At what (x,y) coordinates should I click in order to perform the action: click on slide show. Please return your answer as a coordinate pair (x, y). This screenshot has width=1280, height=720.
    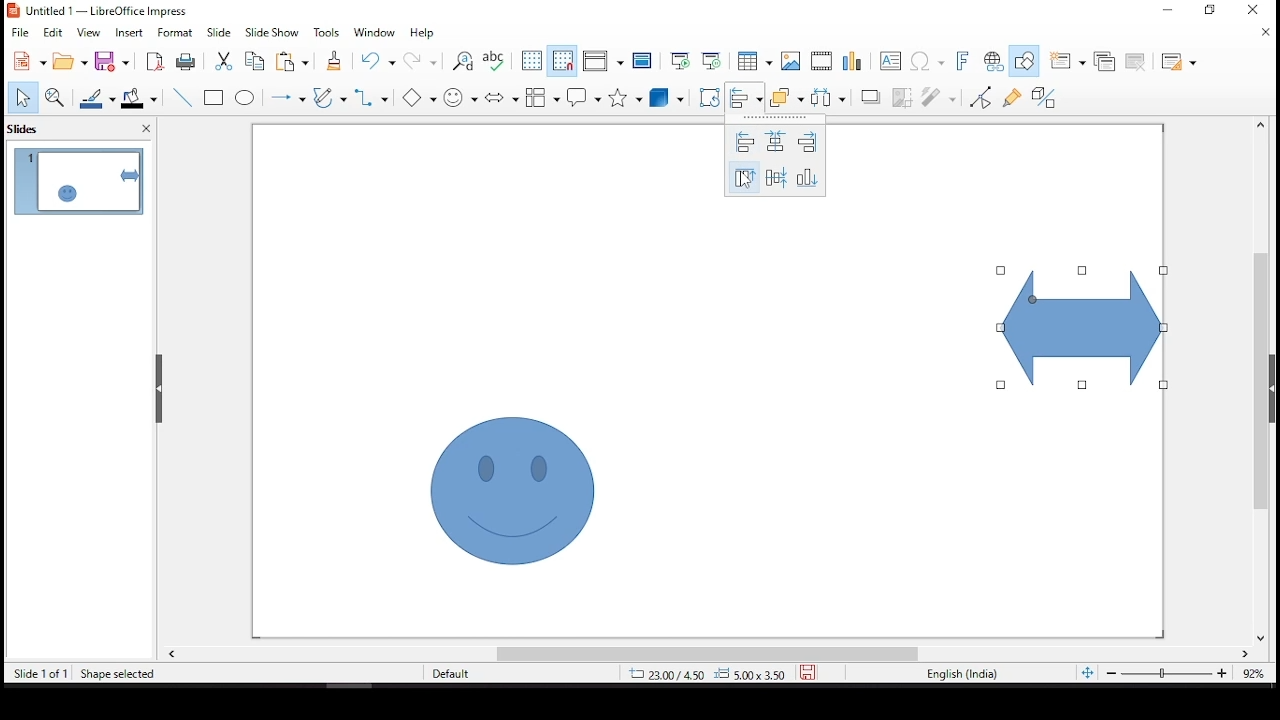
    Looking at the image, I should click on (270, 31).